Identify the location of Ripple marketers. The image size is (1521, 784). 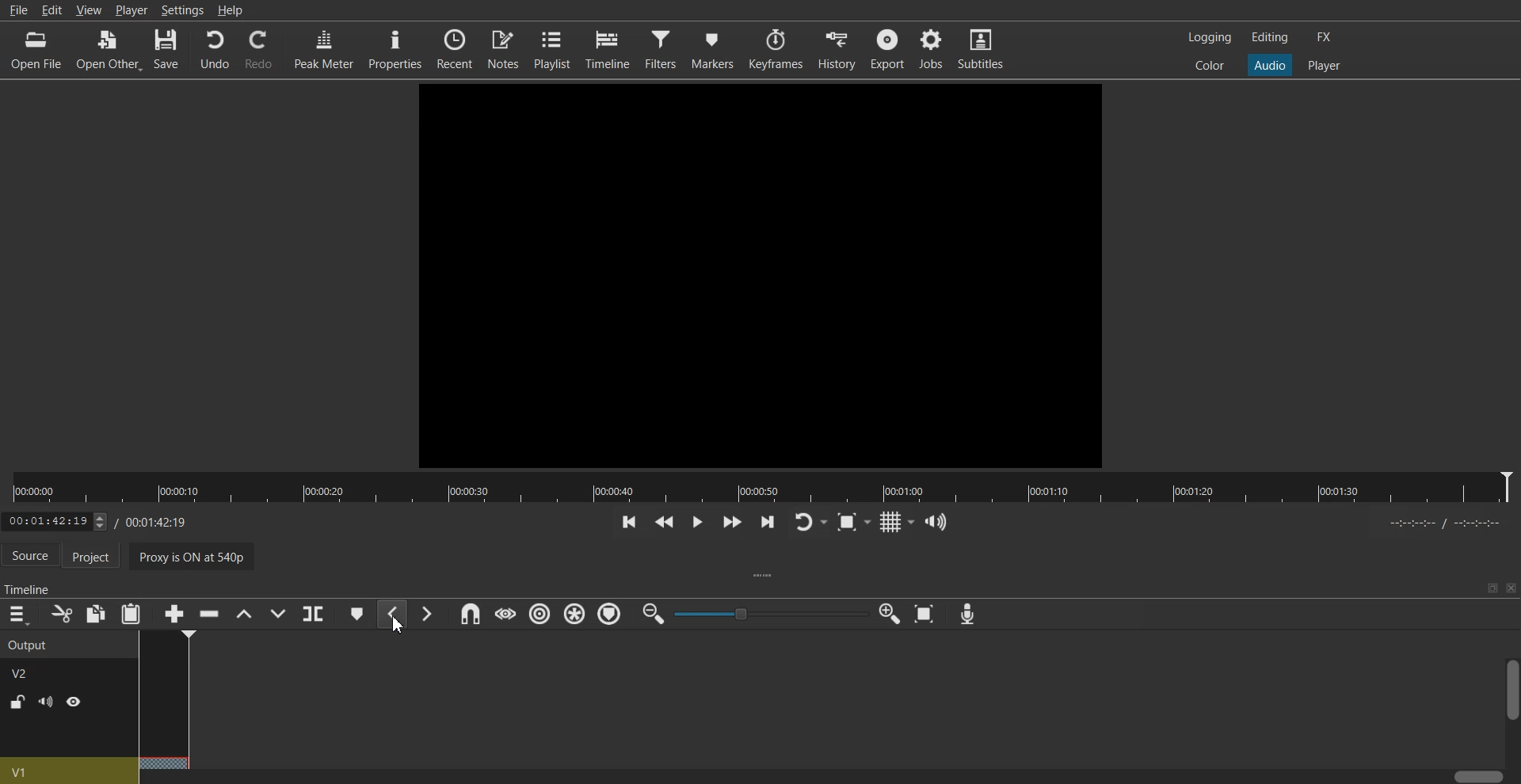
(610, 615).